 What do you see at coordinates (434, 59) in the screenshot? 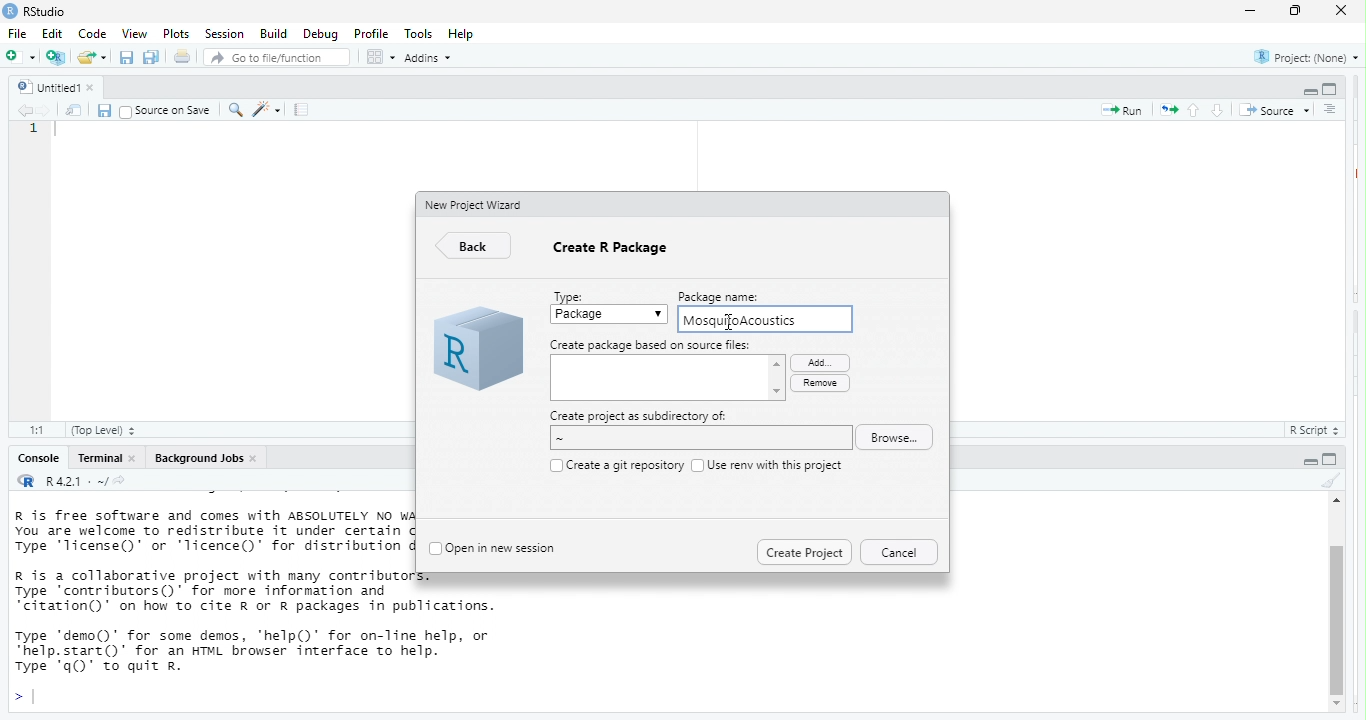
I see `Addins ` at bounding box center [434, 59].